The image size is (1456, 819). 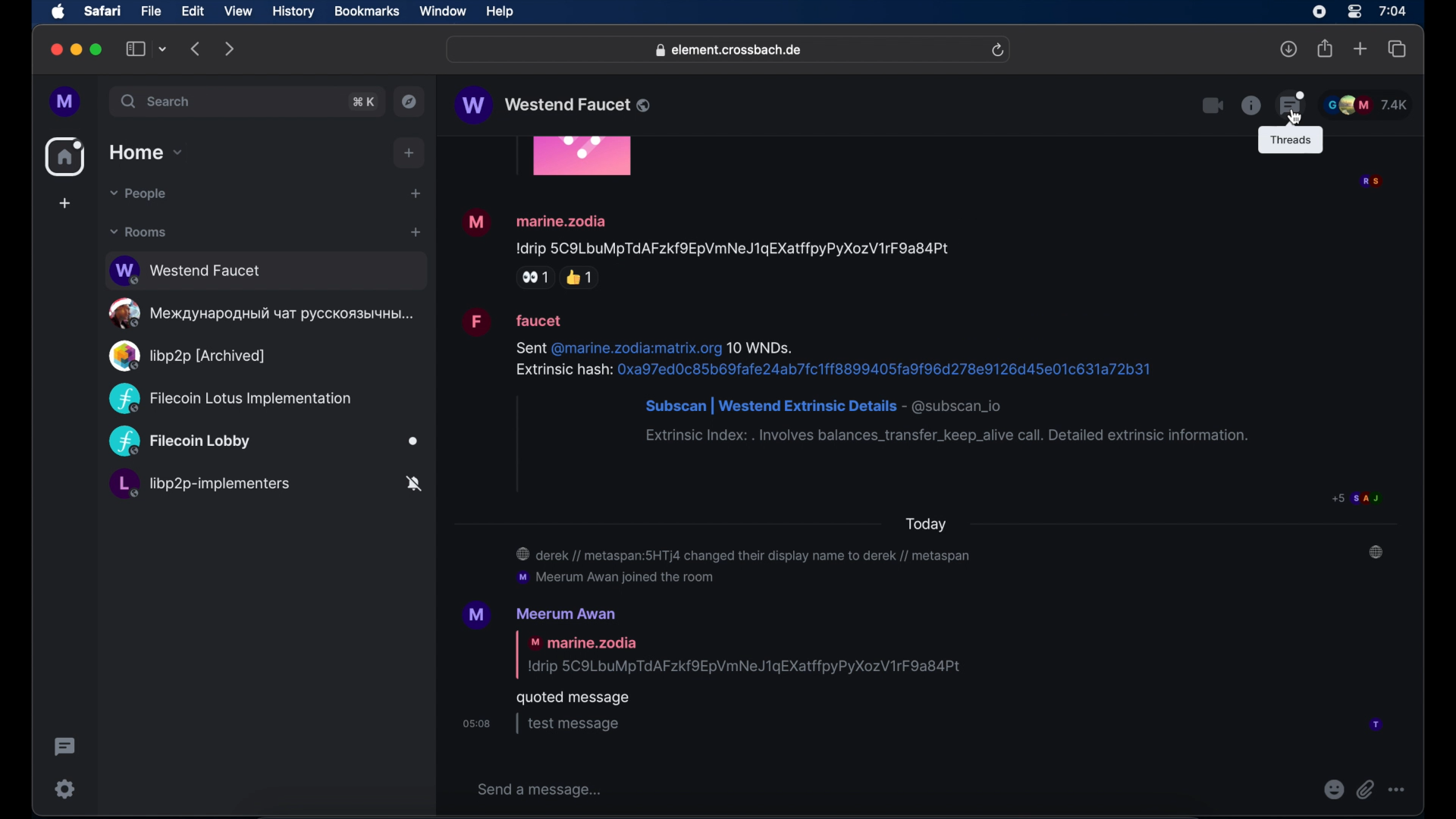 What do you see at coordinates (1373, 182) in the screenshot?
I see `participant` at bounding box center [1373, 182].